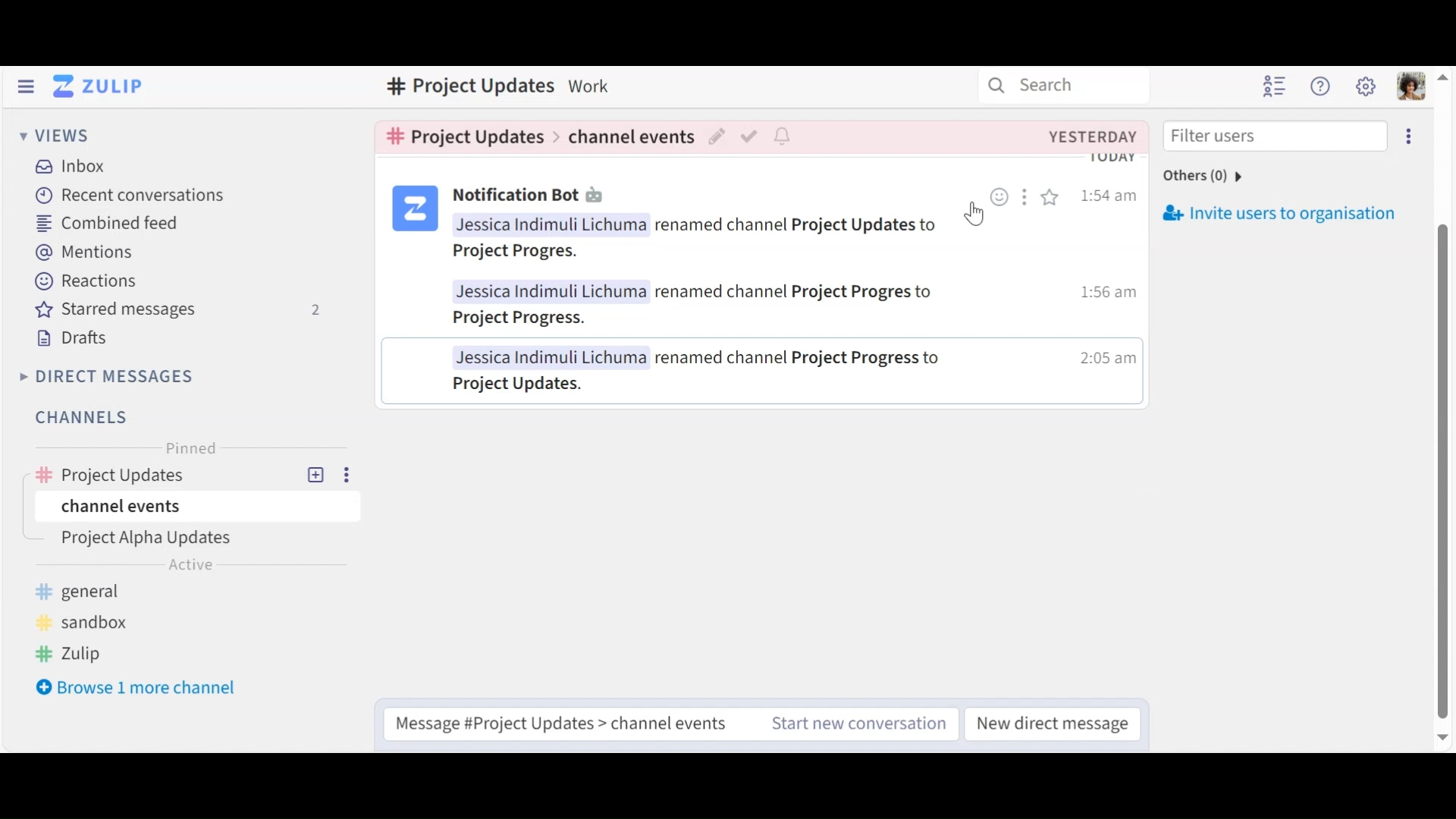  I want to click on message actions, so click(1027, 198).